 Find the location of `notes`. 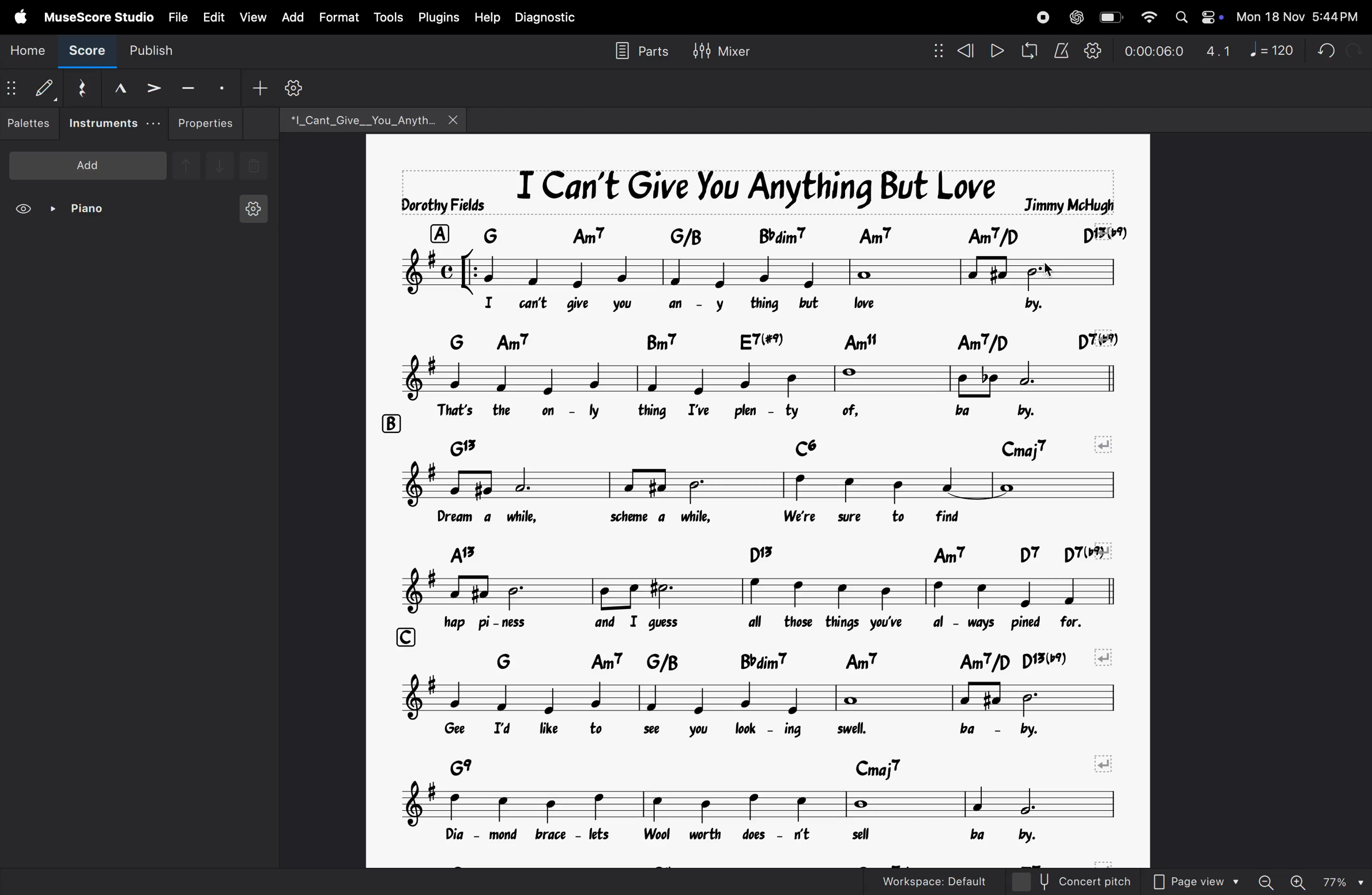

notes is located at coordinates (763, 484).